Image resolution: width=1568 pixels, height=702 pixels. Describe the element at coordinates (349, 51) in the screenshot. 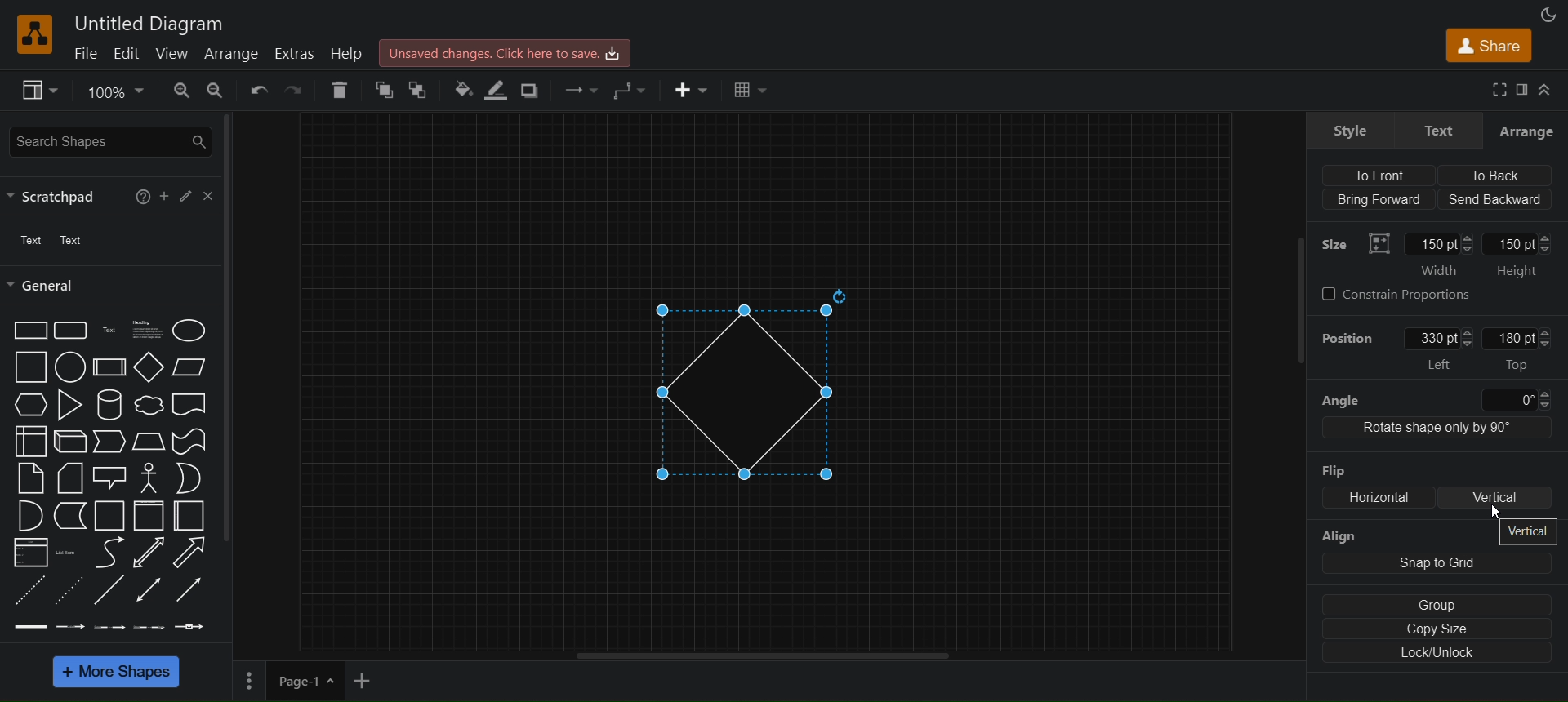

I see `help` at that location.